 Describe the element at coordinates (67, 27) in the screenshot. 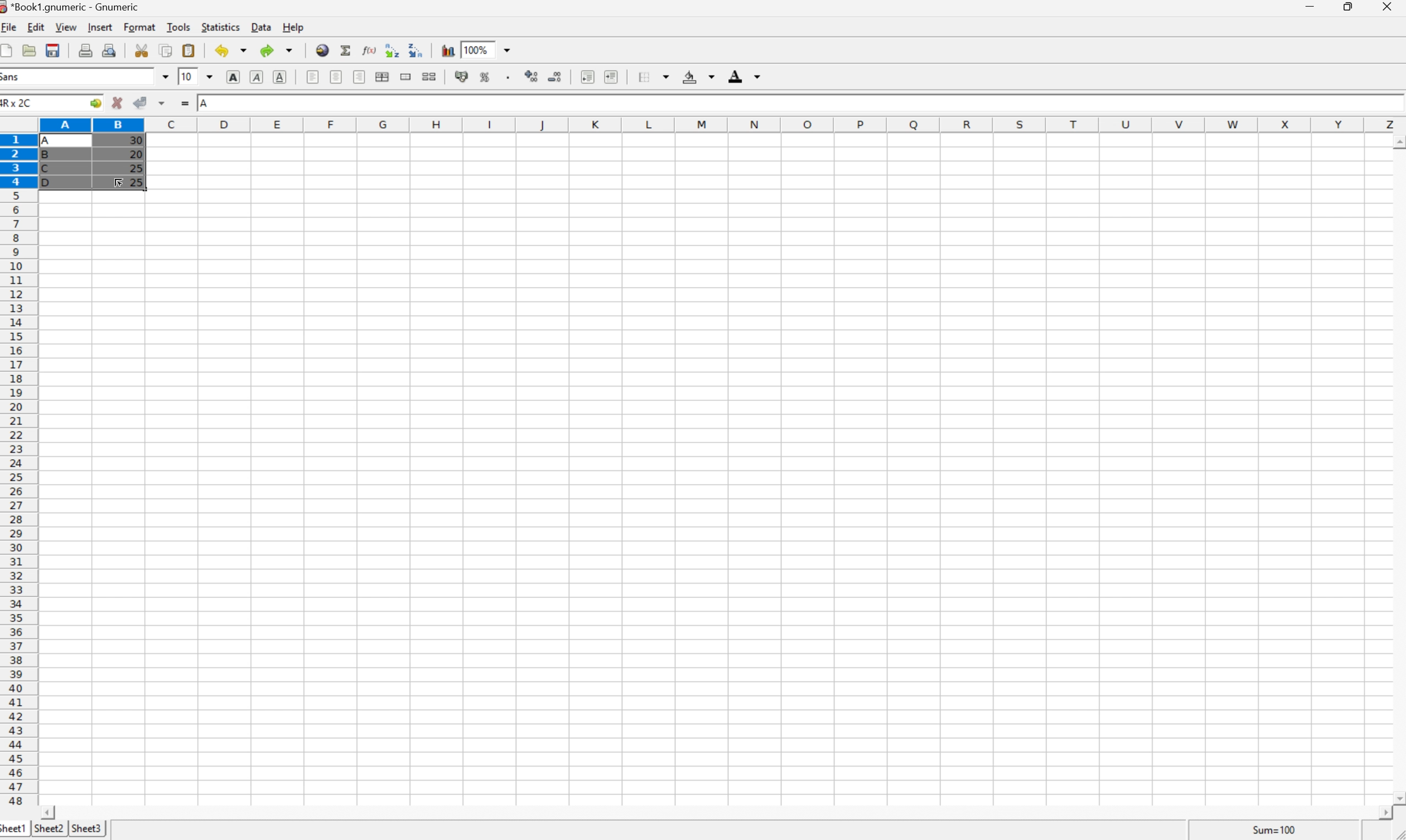

I see `View` at that location.